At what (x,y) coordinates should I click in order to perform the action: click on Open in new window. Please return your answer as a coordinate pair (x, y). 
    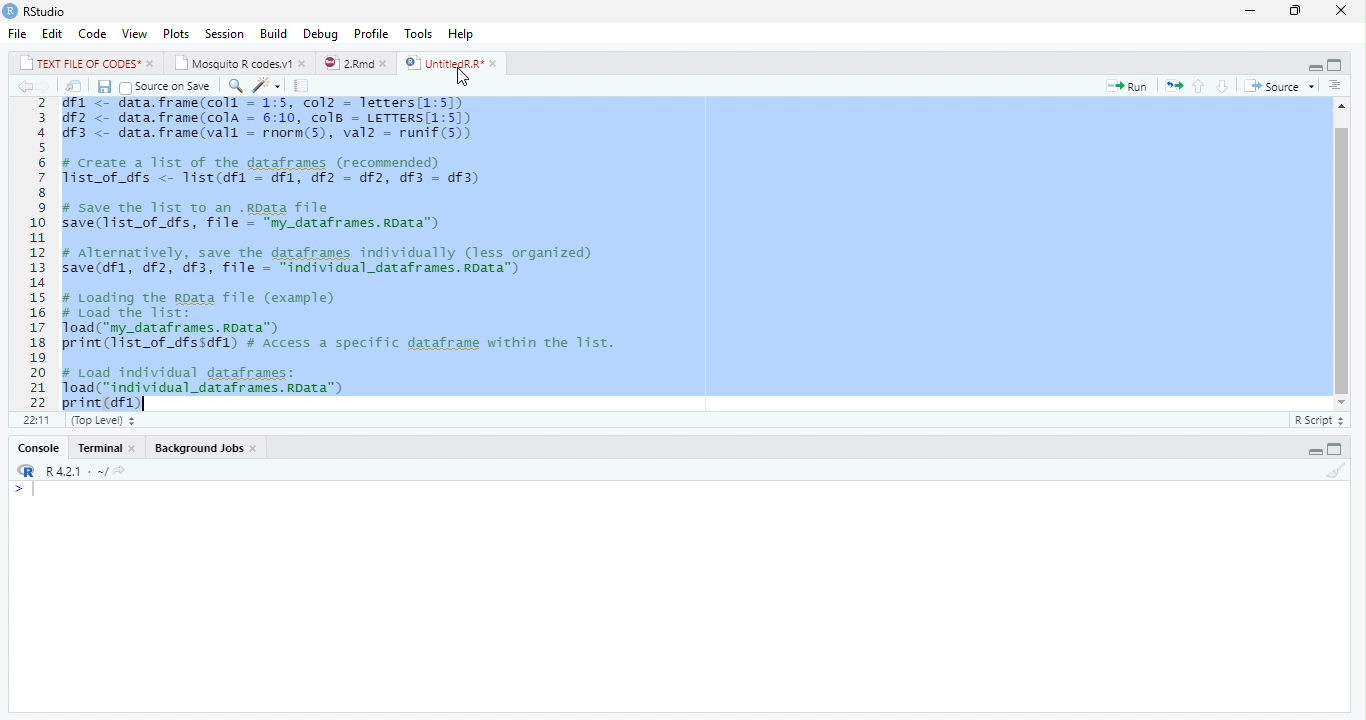
    Looking at the image, I should click on (74, 87).